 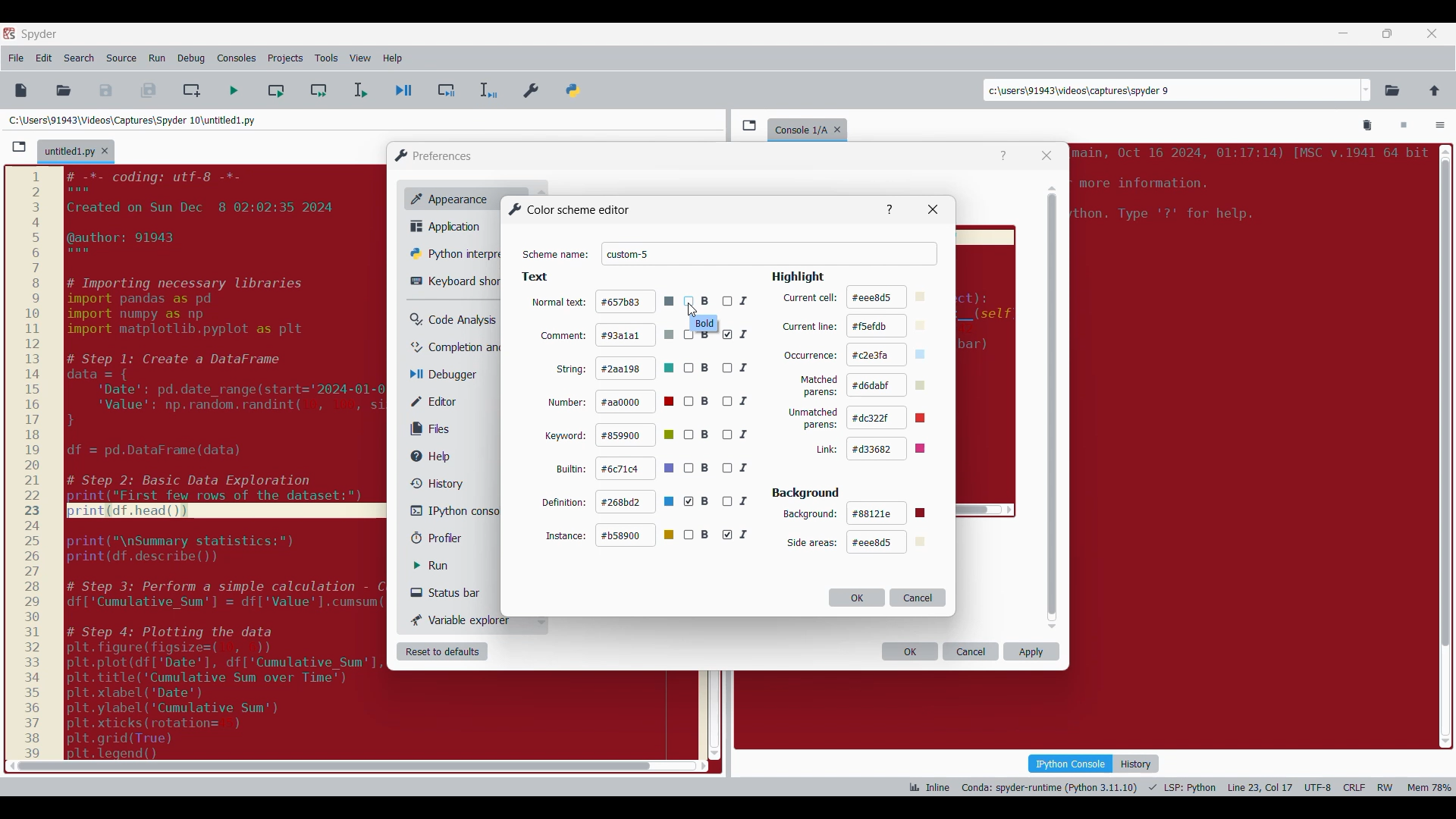 I want to click on Debug file, so click(x=404, y=91).